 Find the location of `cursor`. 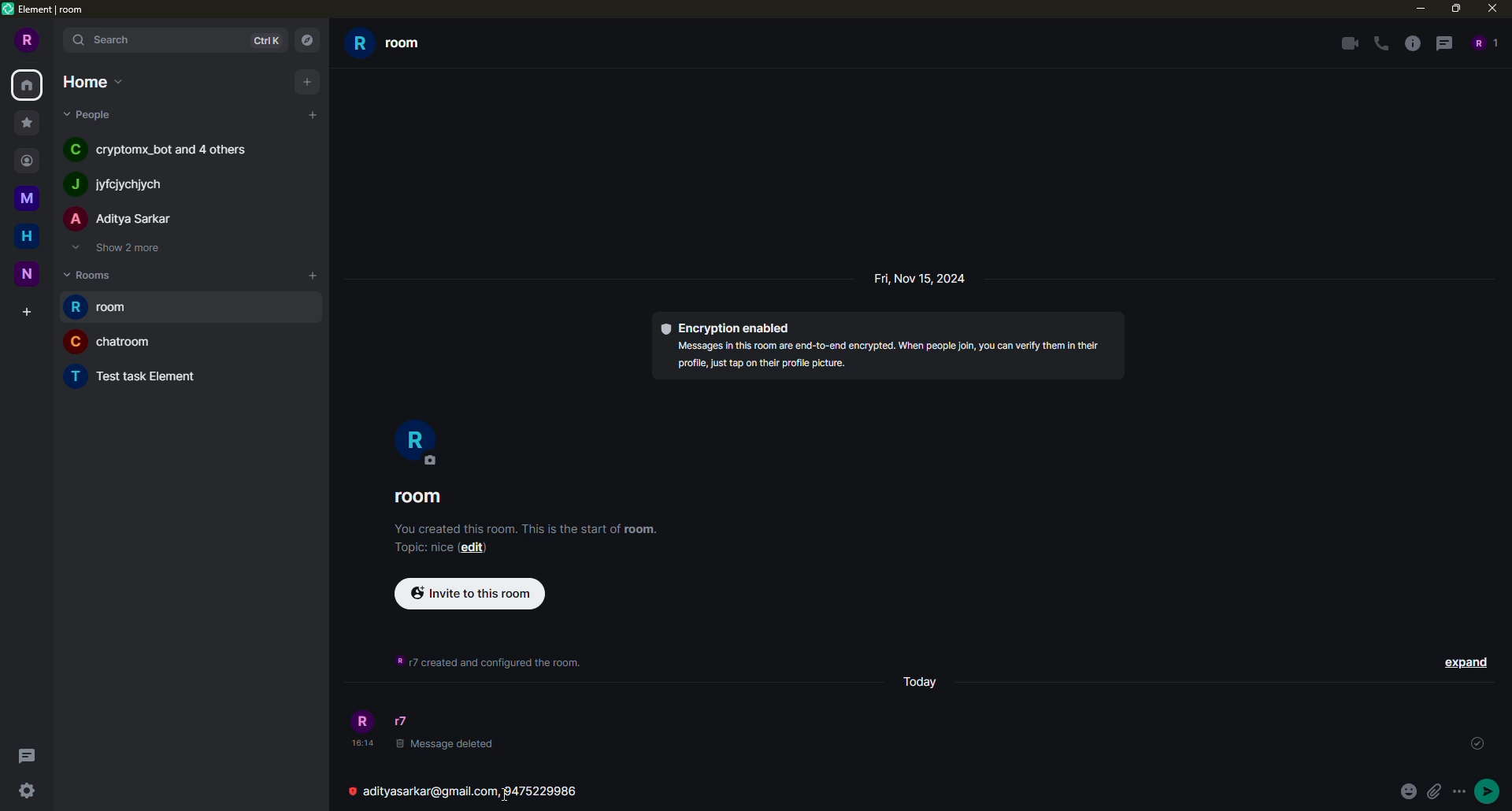

cursor is located at coordinates (506, 793).